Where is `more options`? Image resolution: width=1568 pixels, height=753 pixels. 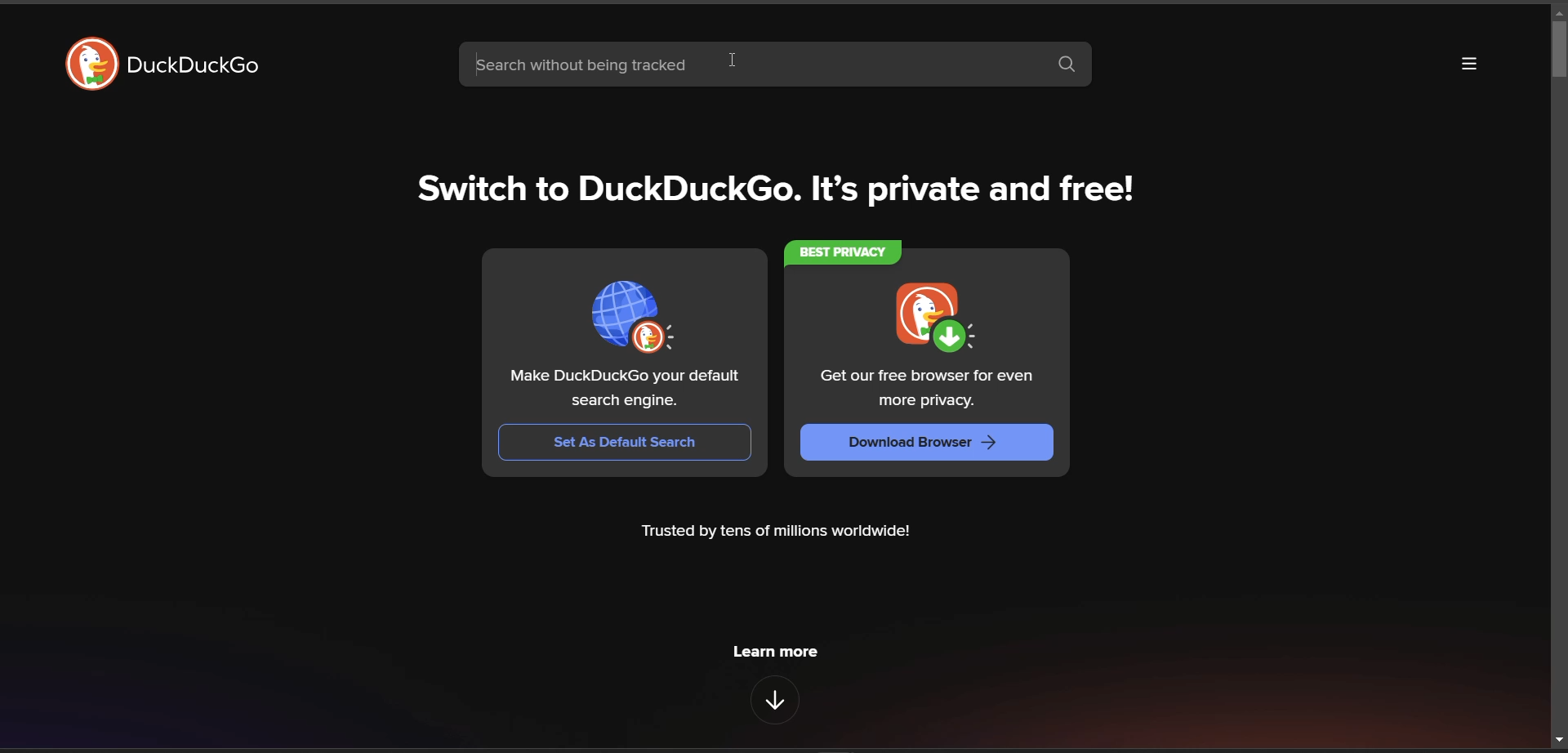 more options is located at coordinates (1470, 65).